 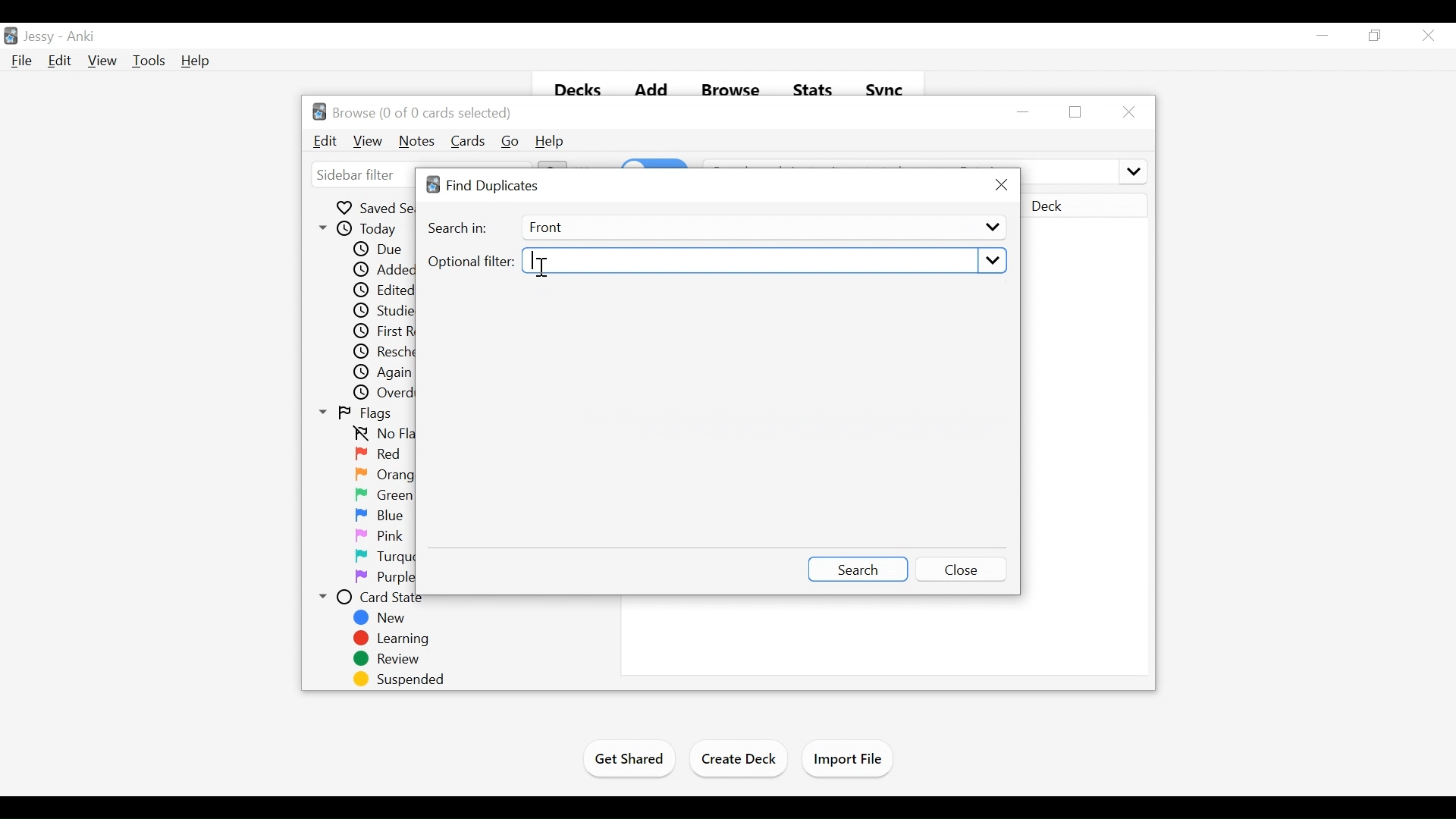 I want to click on Restore, so click(x=1077, y=112).